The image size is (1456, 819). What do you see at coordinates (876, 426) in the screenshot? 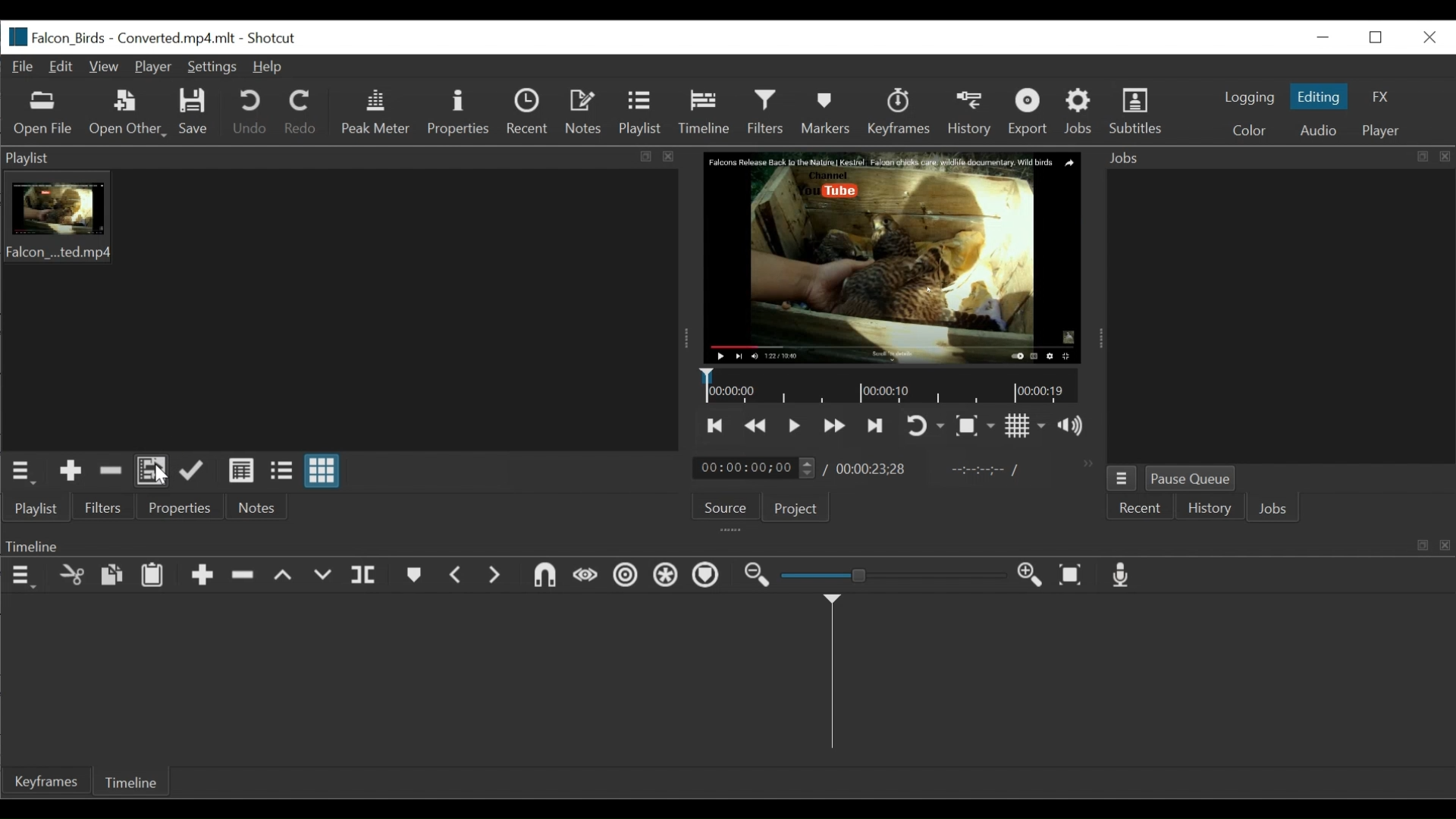
I see `Skip to the next point` at bounding box center [876, 426].